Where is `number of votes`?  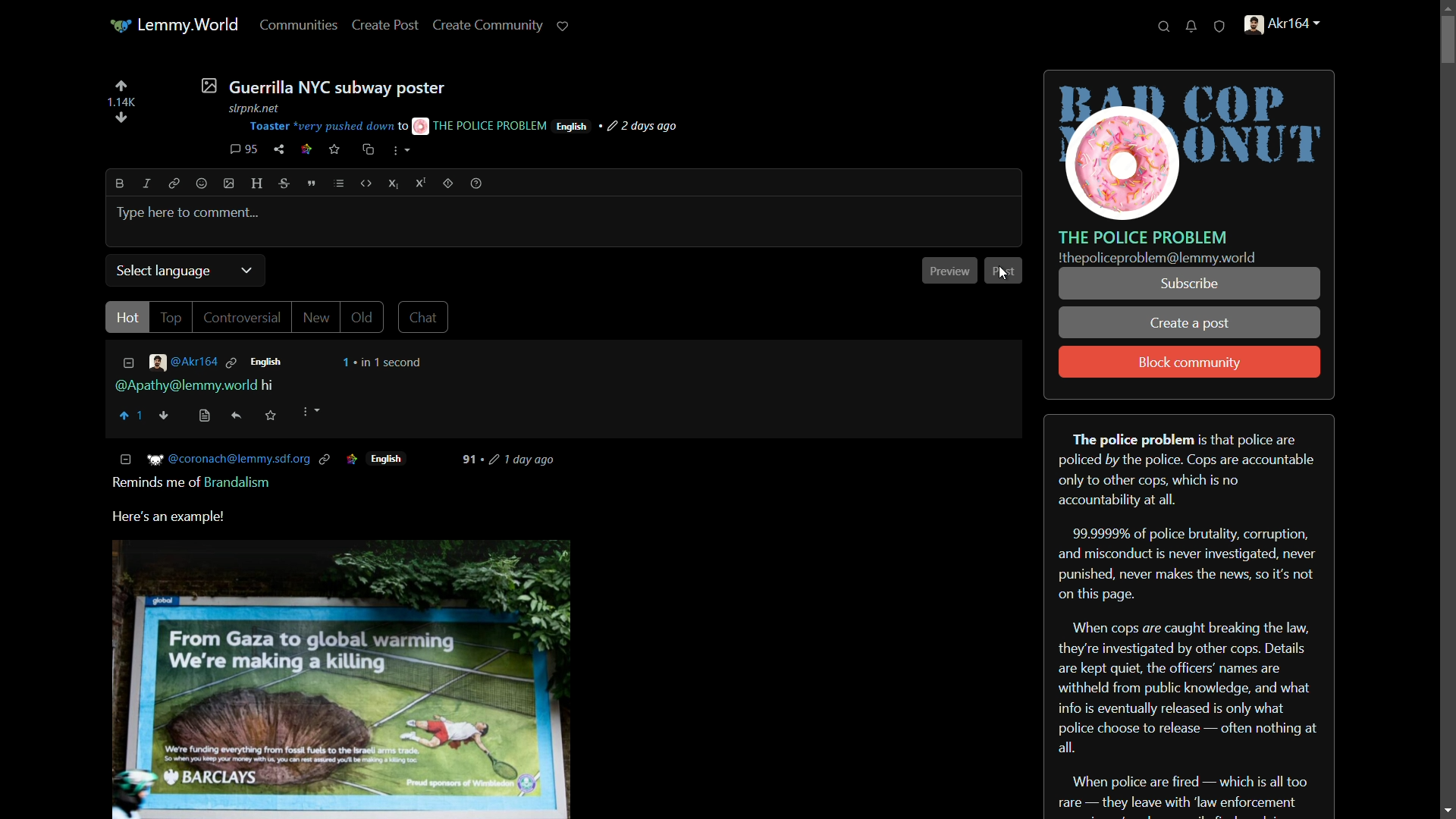 number of votes is located at coordinates (121, 102).